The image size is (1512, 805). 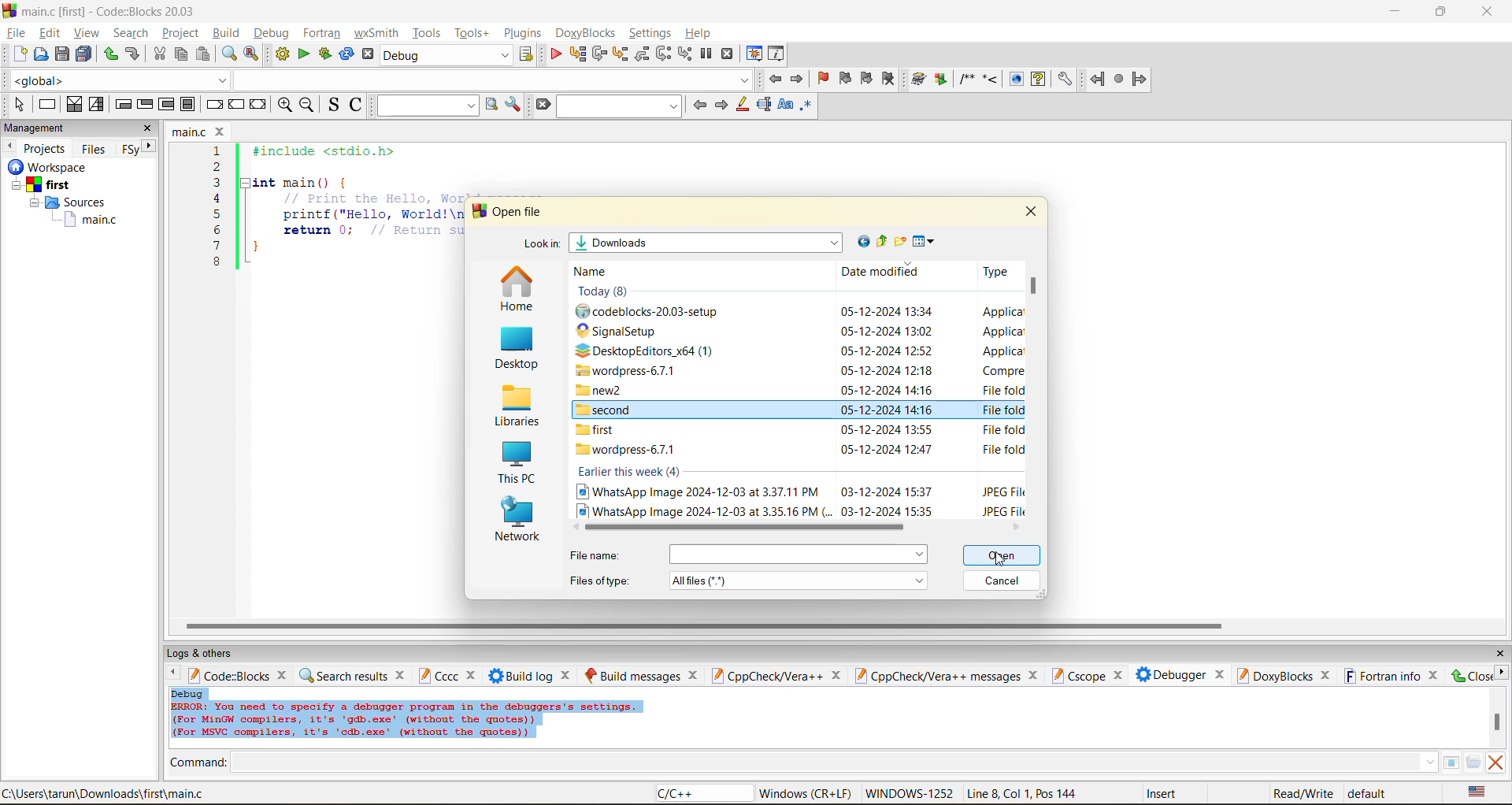 I want to click on type, so click(x=1001, y=331).